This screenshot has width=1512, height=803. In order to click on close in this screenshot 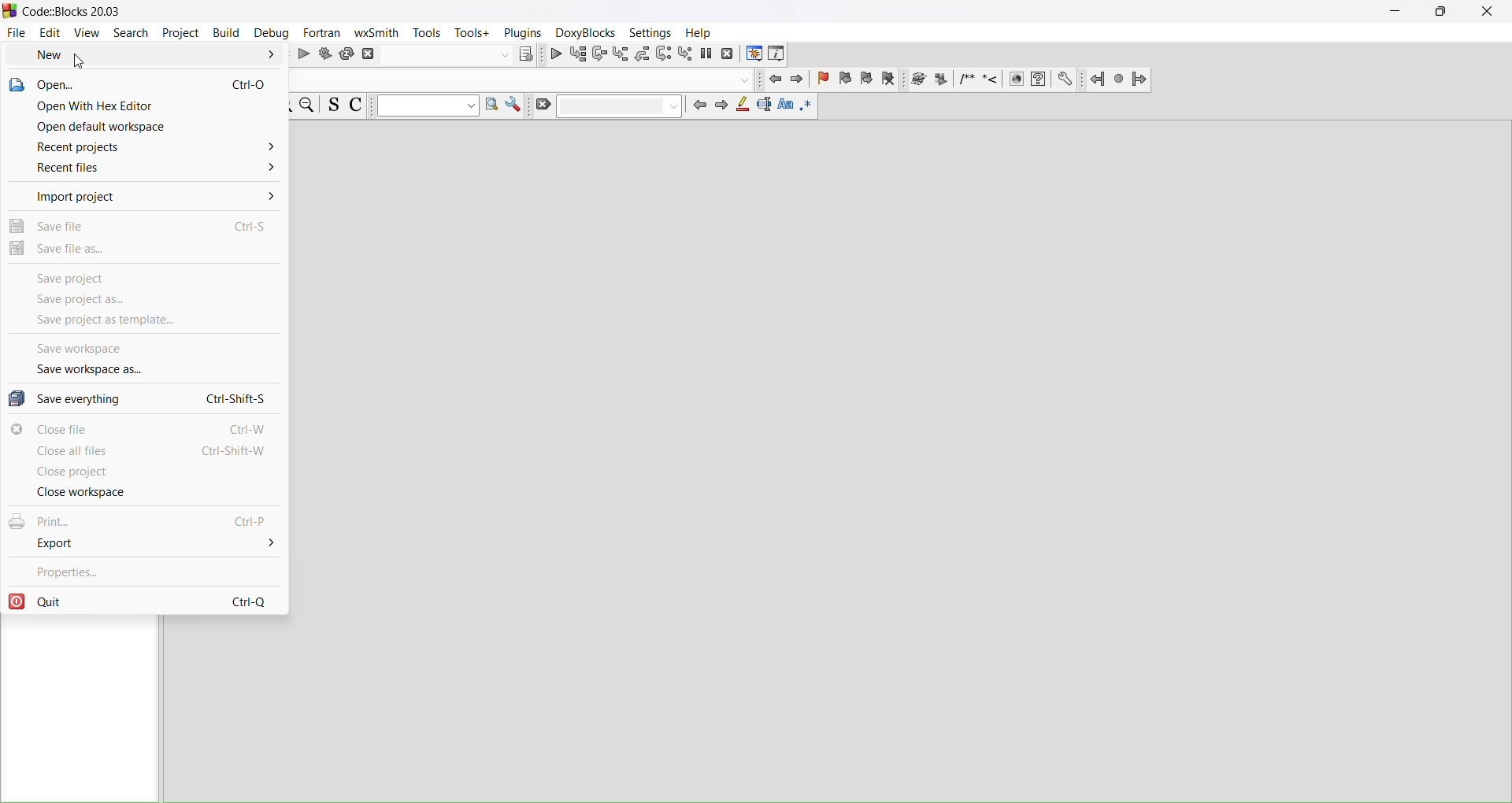, I will do `click(1488, 12)`.